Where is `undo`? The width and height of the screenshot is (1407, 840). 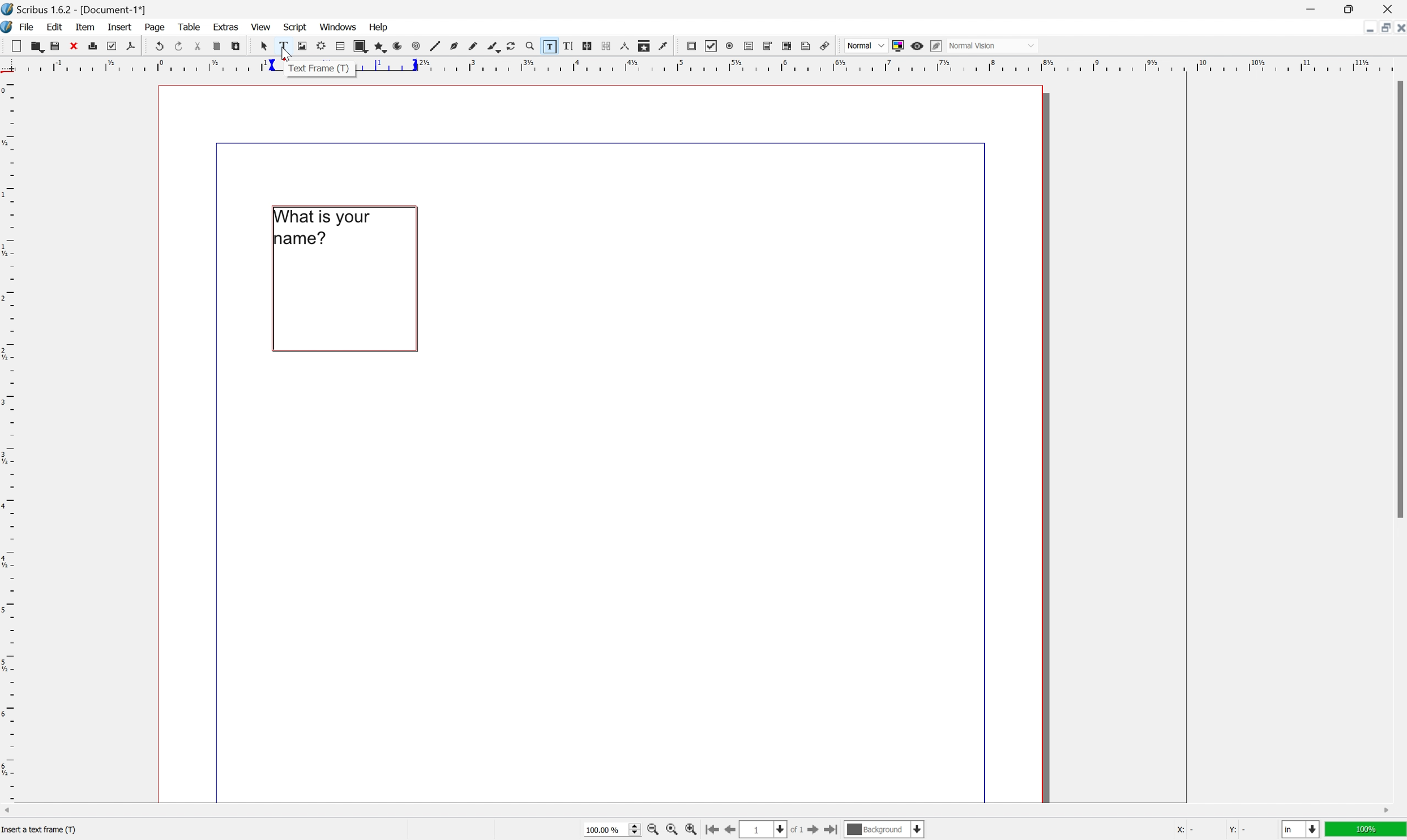 undo is located at coordinates (160, 47).